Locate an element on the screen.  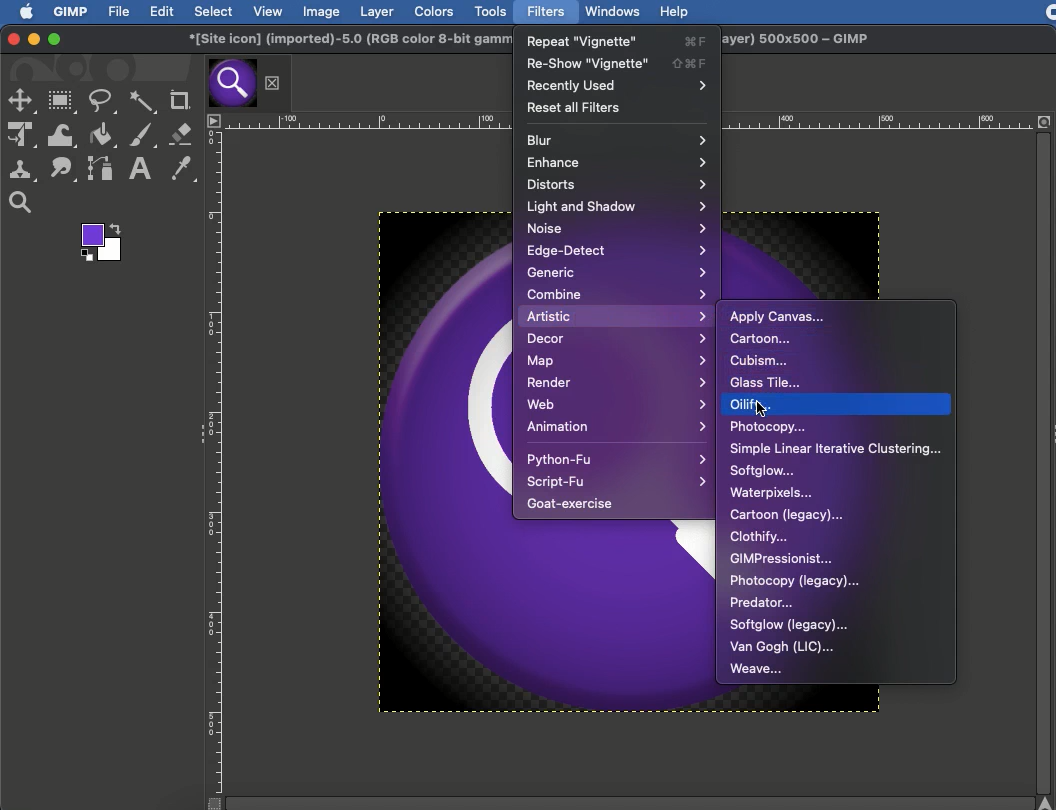
Artistic is located at coordinates (616, 316).